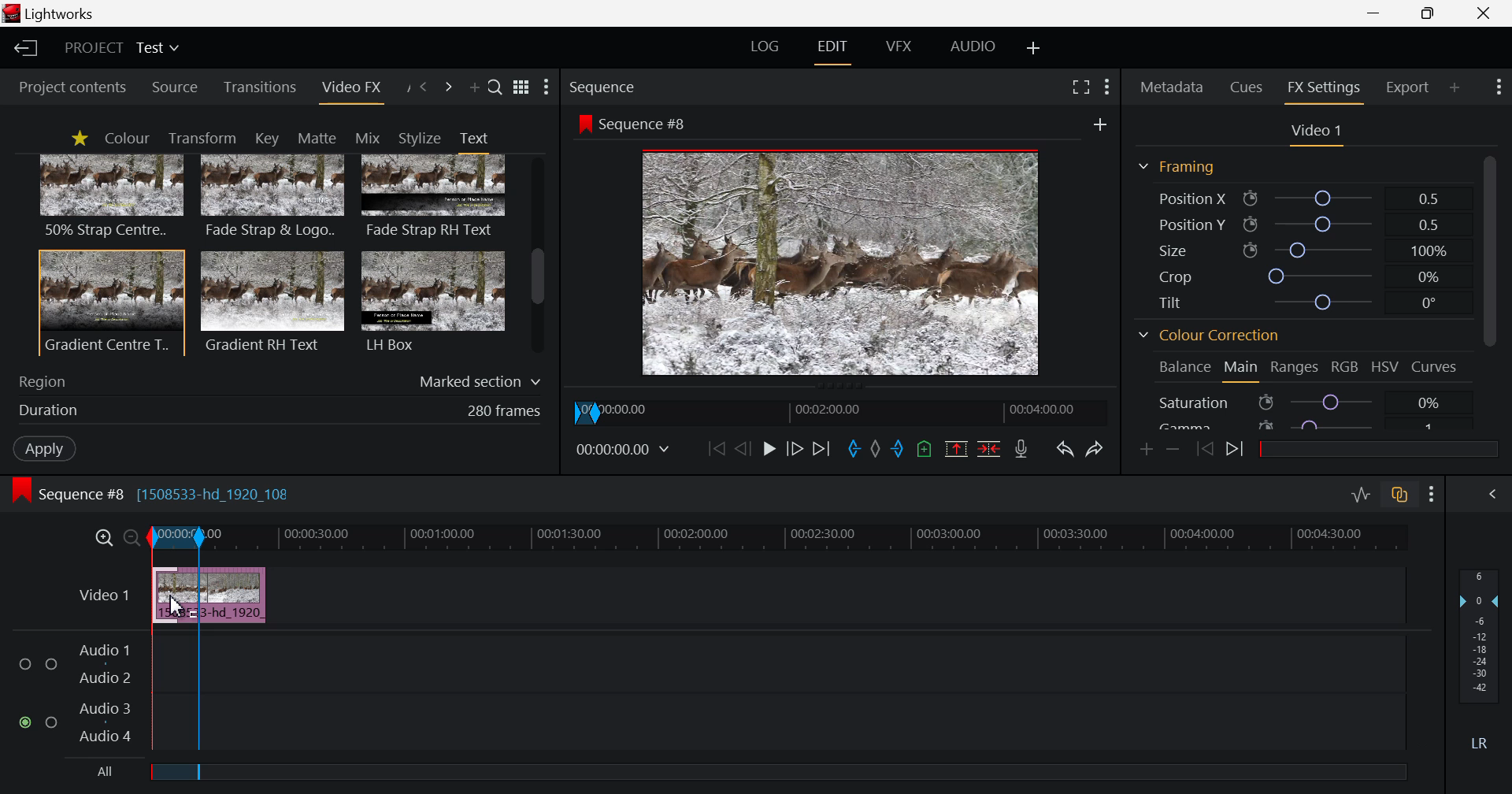 The image size is (1512, 794). I want to click on RGB, so click(1345, 369).